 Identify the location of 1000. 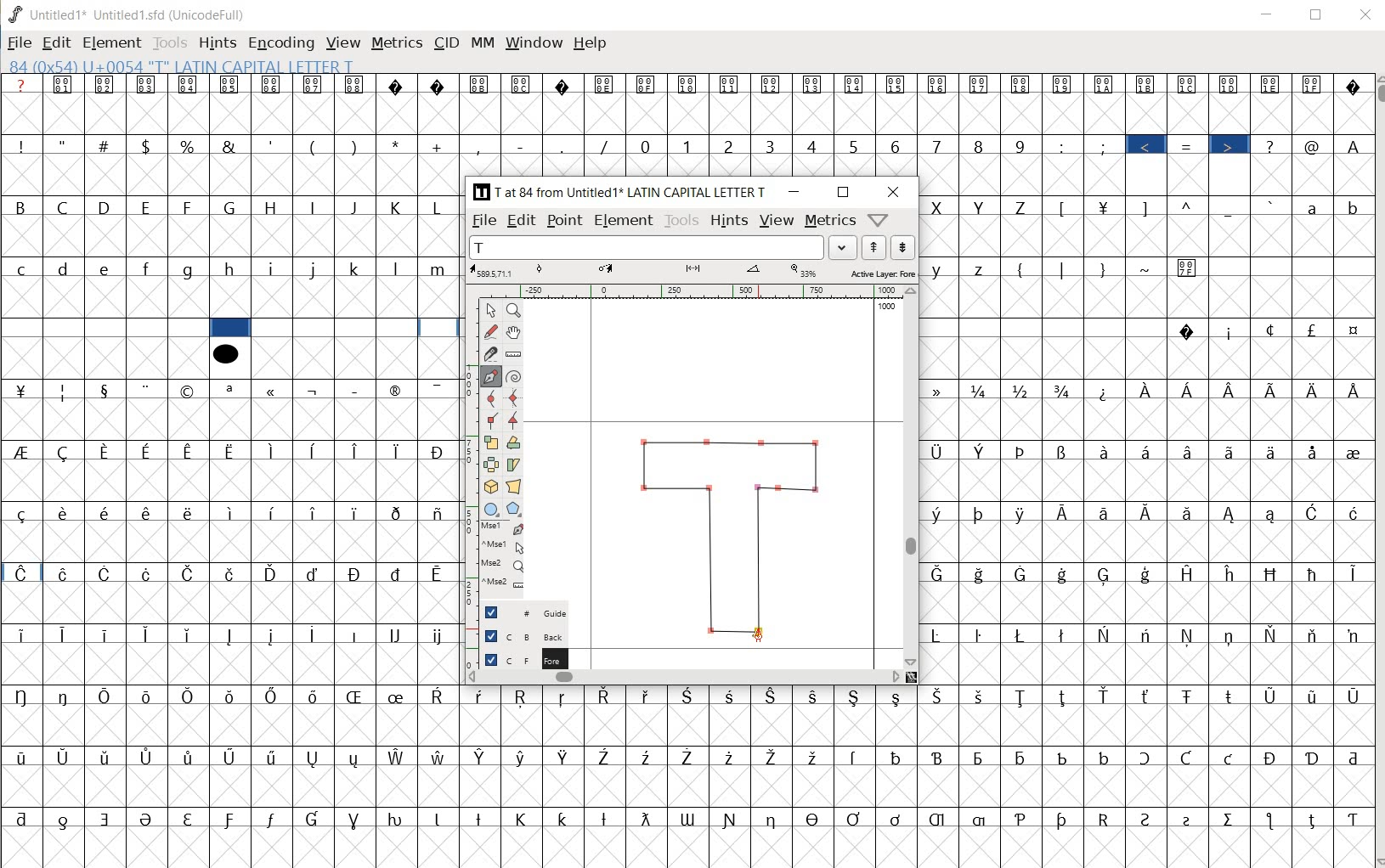
(887, 306).